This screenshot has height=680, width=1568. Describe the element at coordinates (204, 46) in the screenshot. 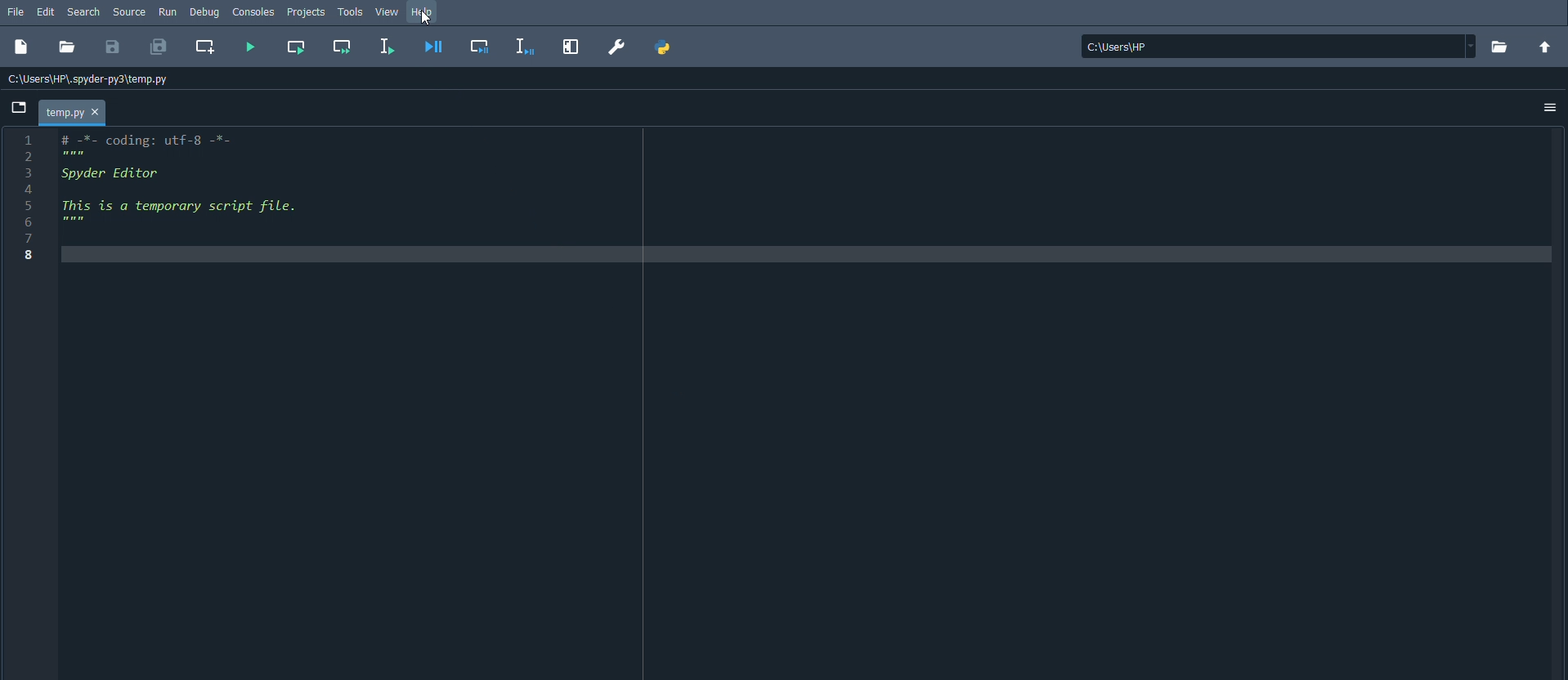

I see `Create new cell at the current line` at that location.